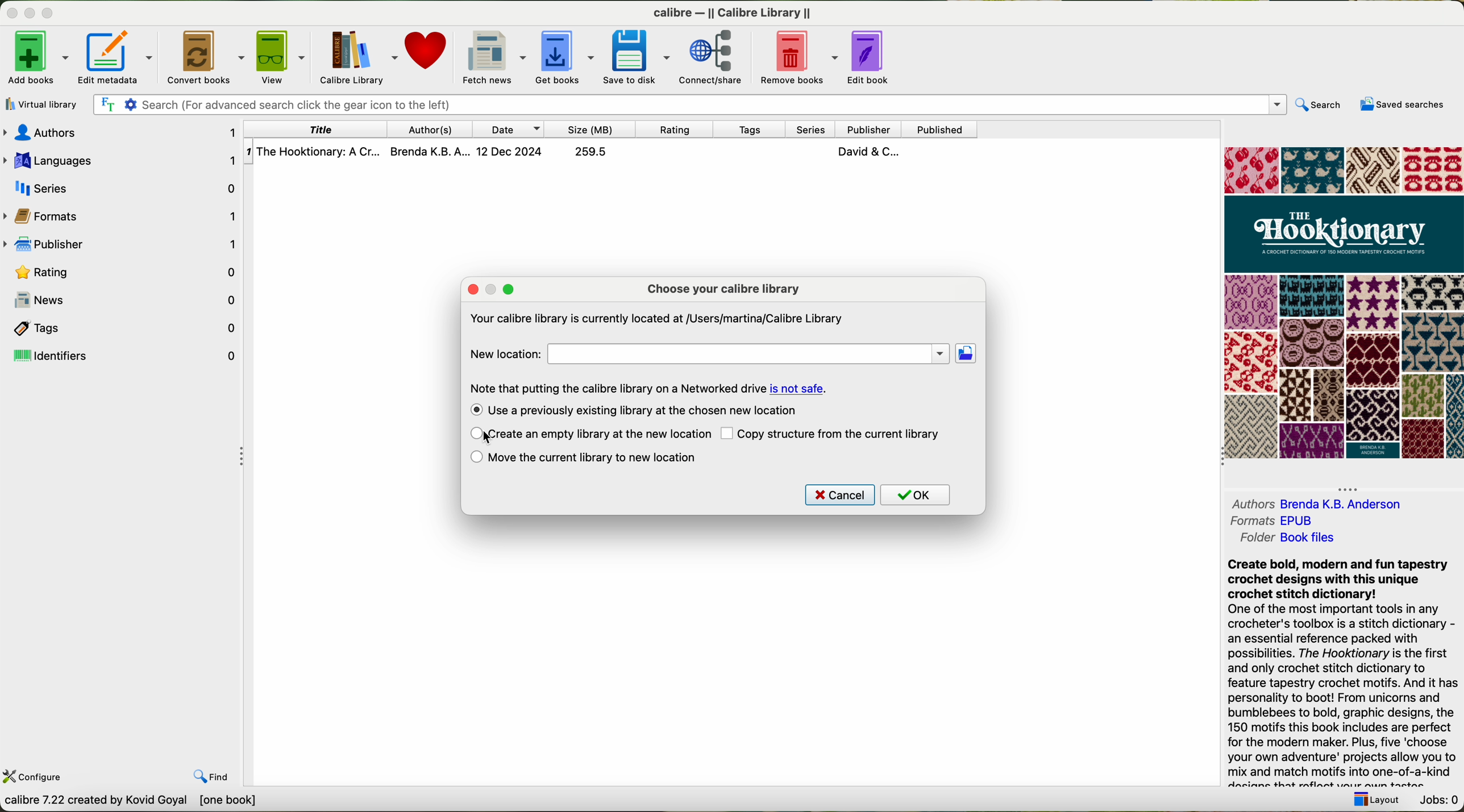 The width and height of the screenshot is (1464, 812). What do you see at coordinates (429, 51) in the screenshot?
I see `donate` at bounding box center [429, 51].